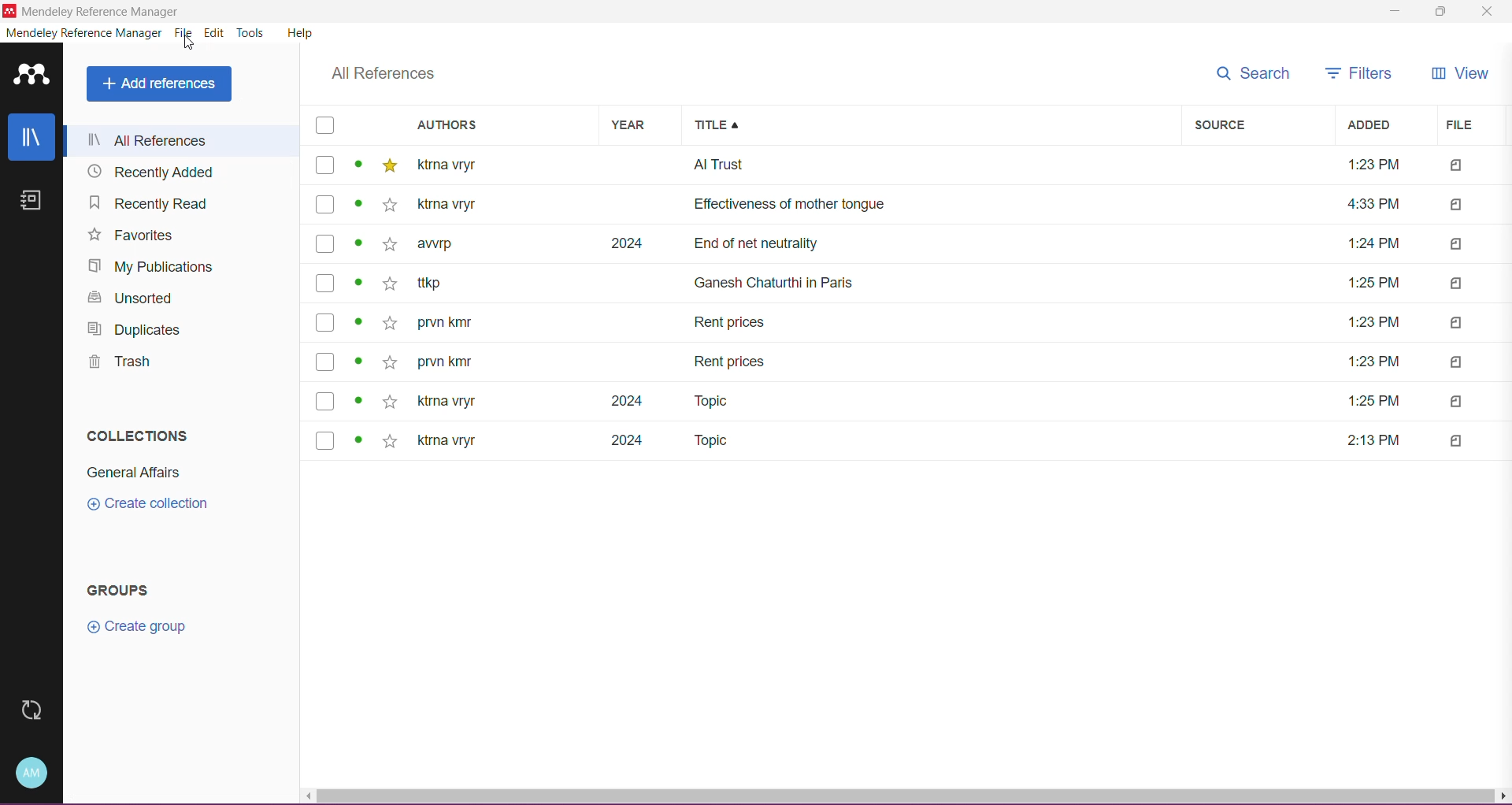 This screenshot has height=805, width=1512. I want to click on ktrna vryr 2024 Topic 2:13PM, so click(909, 441).